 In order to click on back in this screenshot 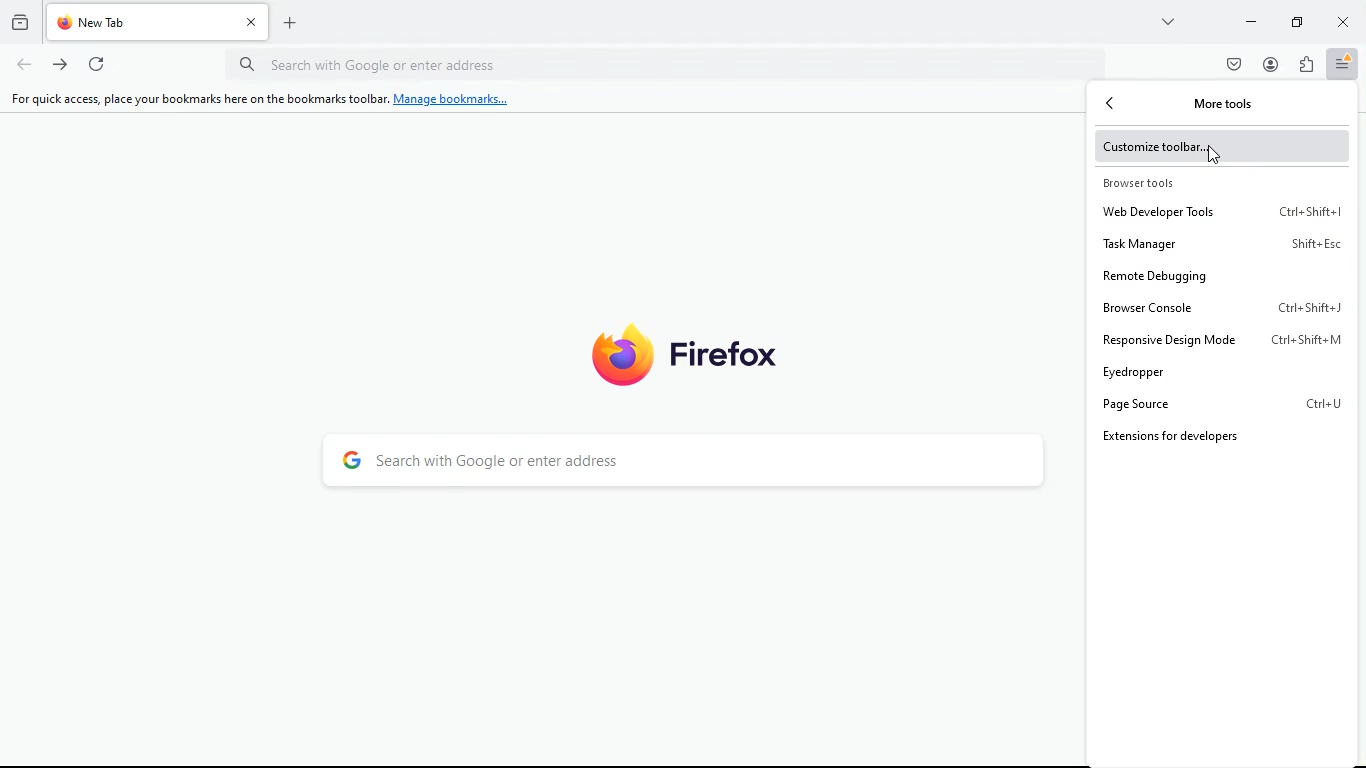, I will do `click(1113, 103)`.